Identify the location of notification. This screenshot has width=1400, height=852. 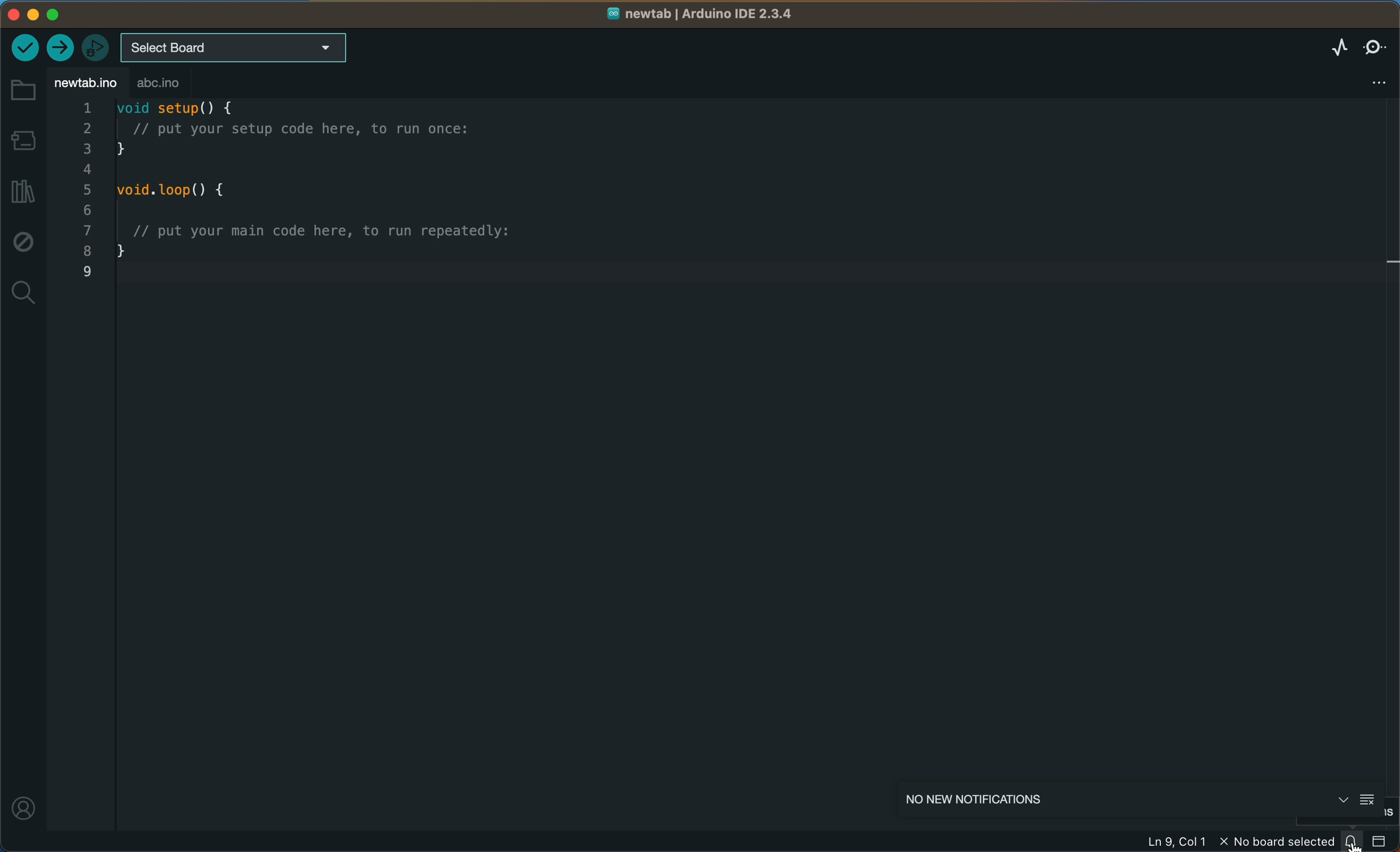
(1355, 842).